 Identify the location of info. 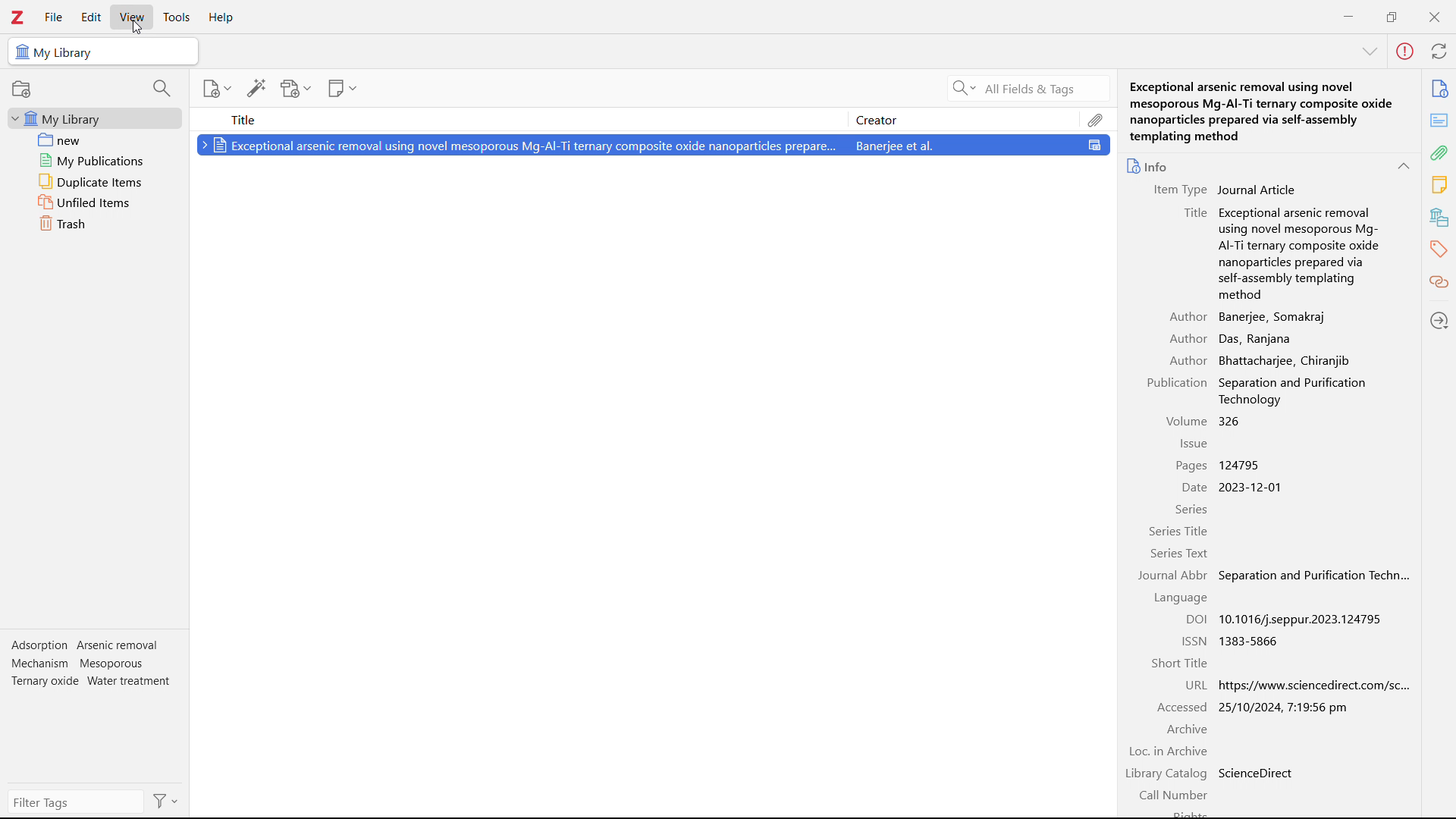
(1149, 165).